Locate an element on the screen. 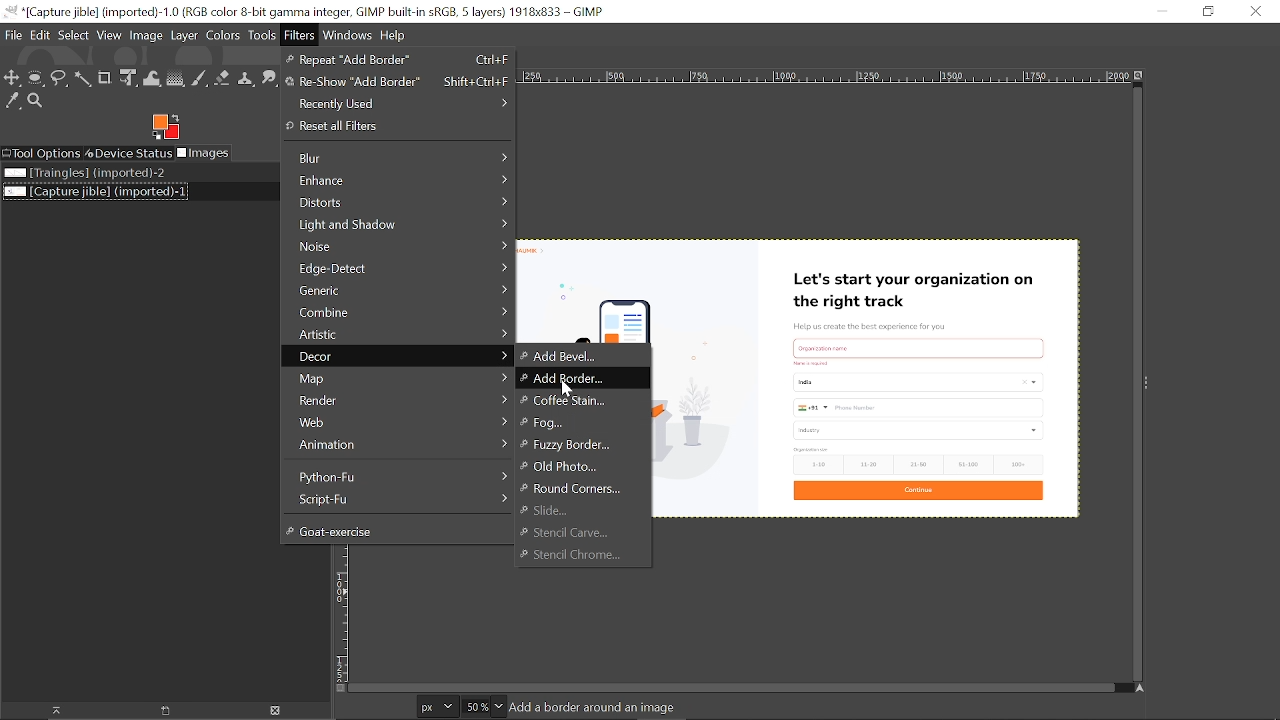  21-50 is located at coordinates (919, 463).